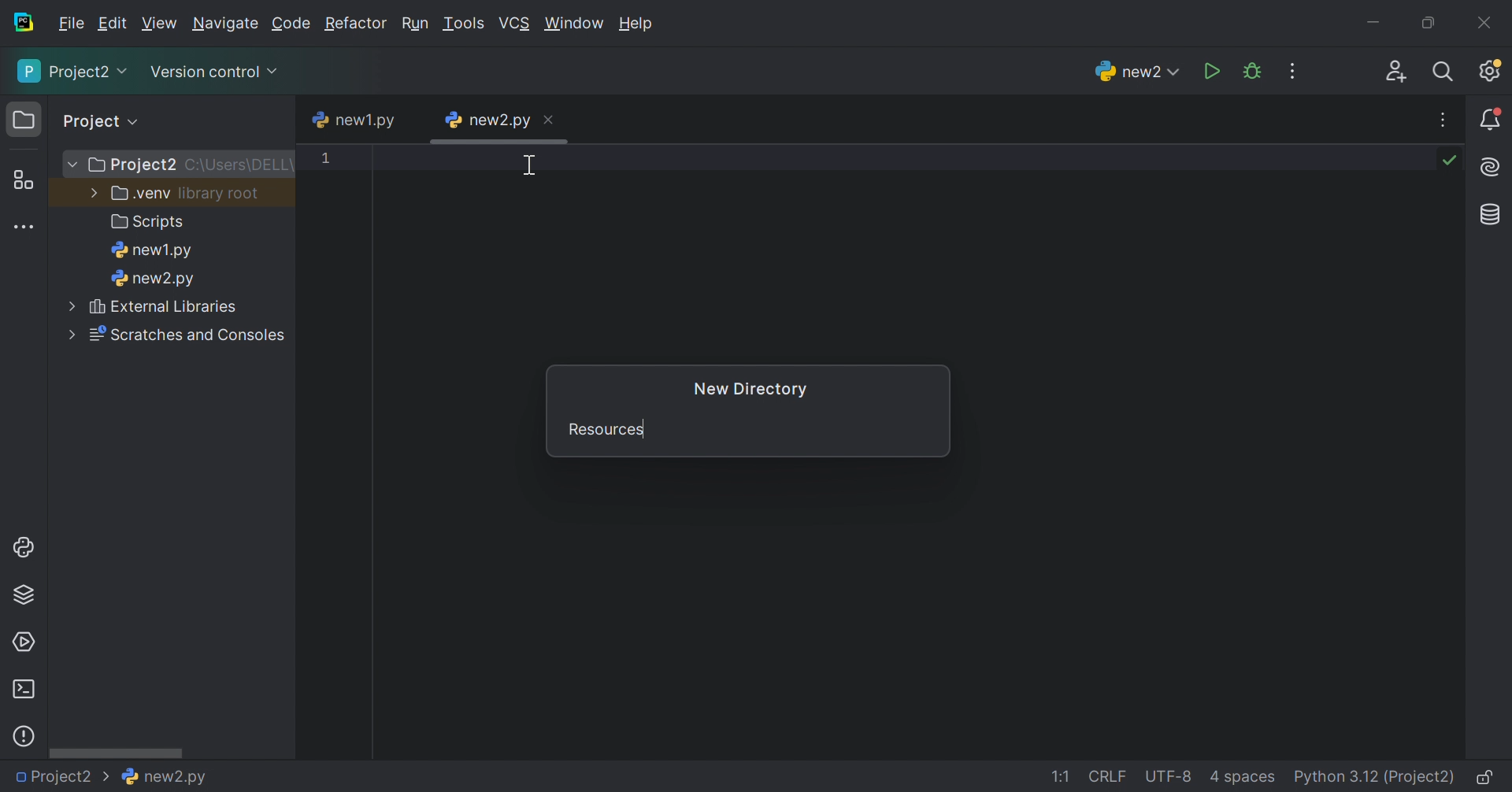  Describe the element at coordinates (70, 162) in the screenshot. I see `More` at that location.